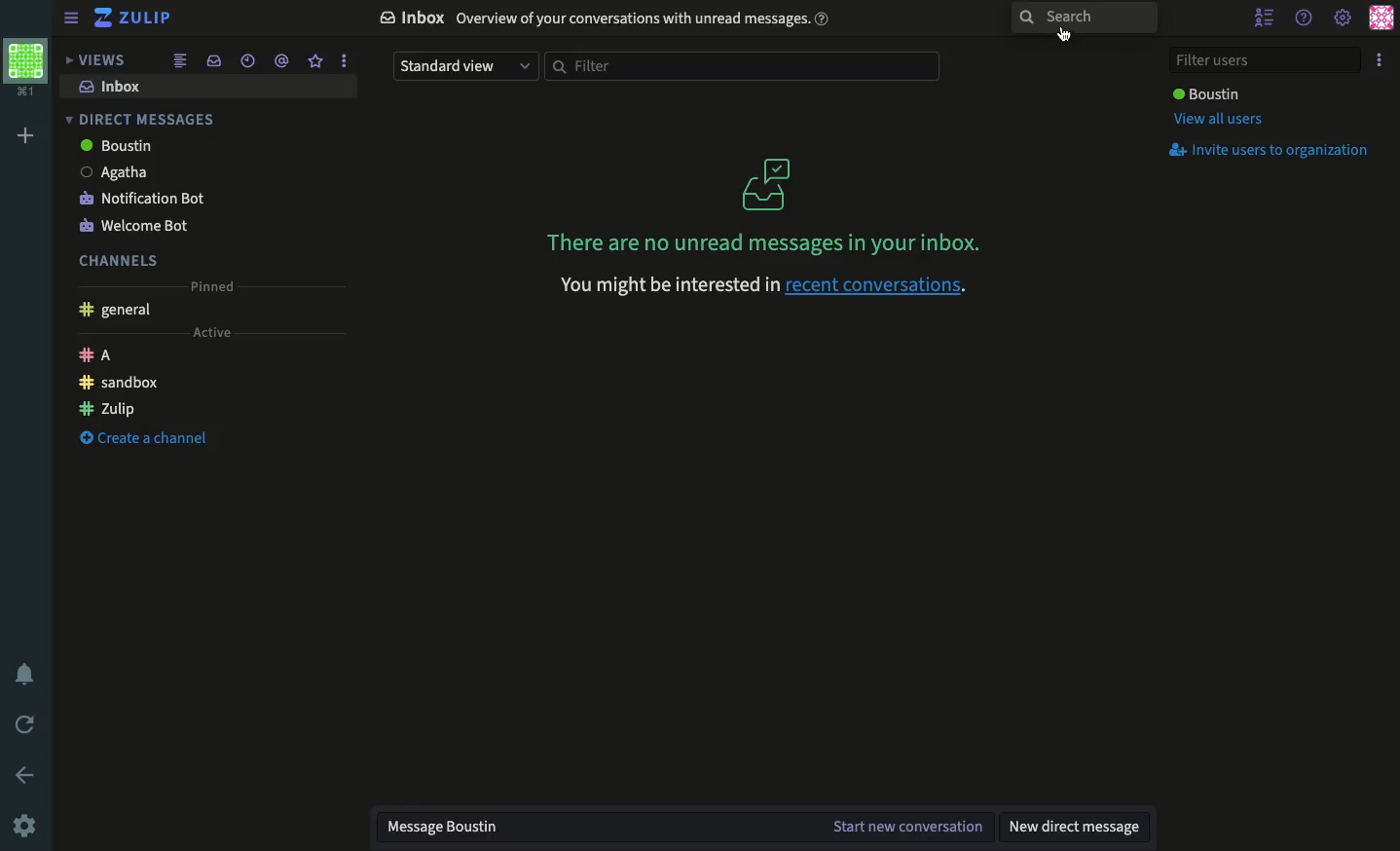  Describe the element at coordinates (29, 674) in the screenshot. I see `Notification` at that location.